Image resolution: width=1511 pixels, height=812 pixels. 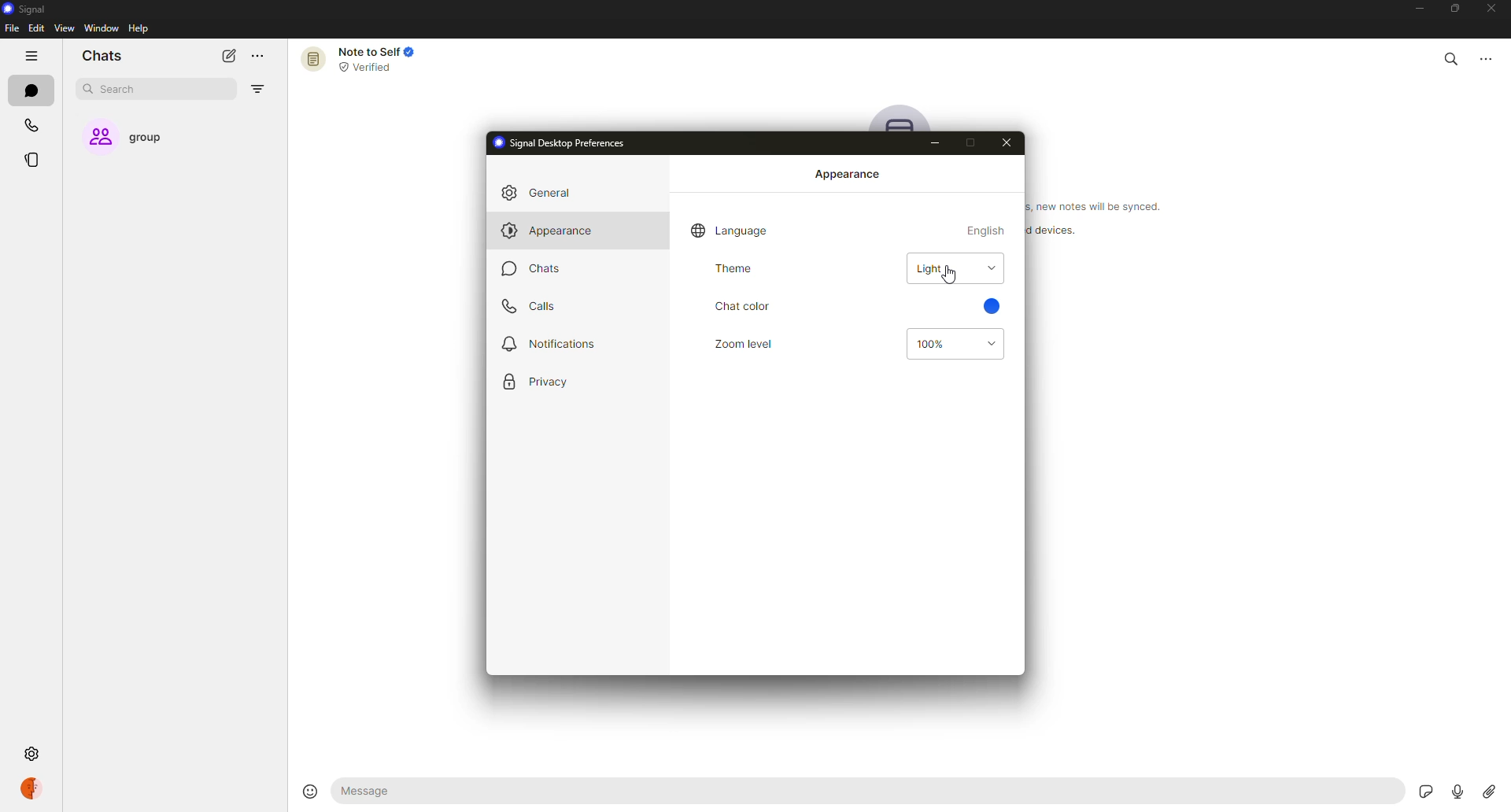 What do you see at coordinates (228, 55) in the screenshot?
I see `new chat` at bounding box center [228, 55].